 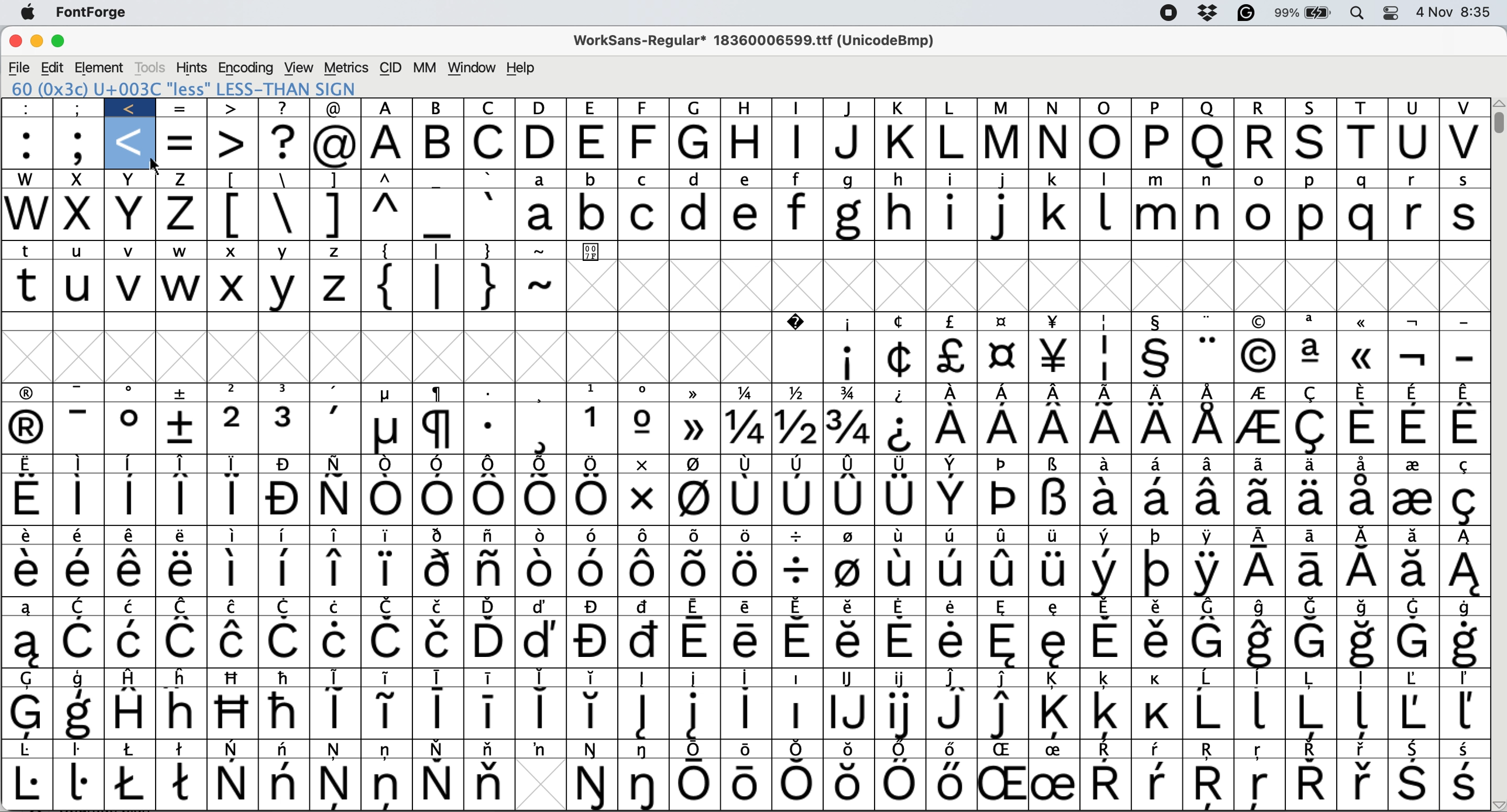 I want to click on w, so click(x=181, y=250).